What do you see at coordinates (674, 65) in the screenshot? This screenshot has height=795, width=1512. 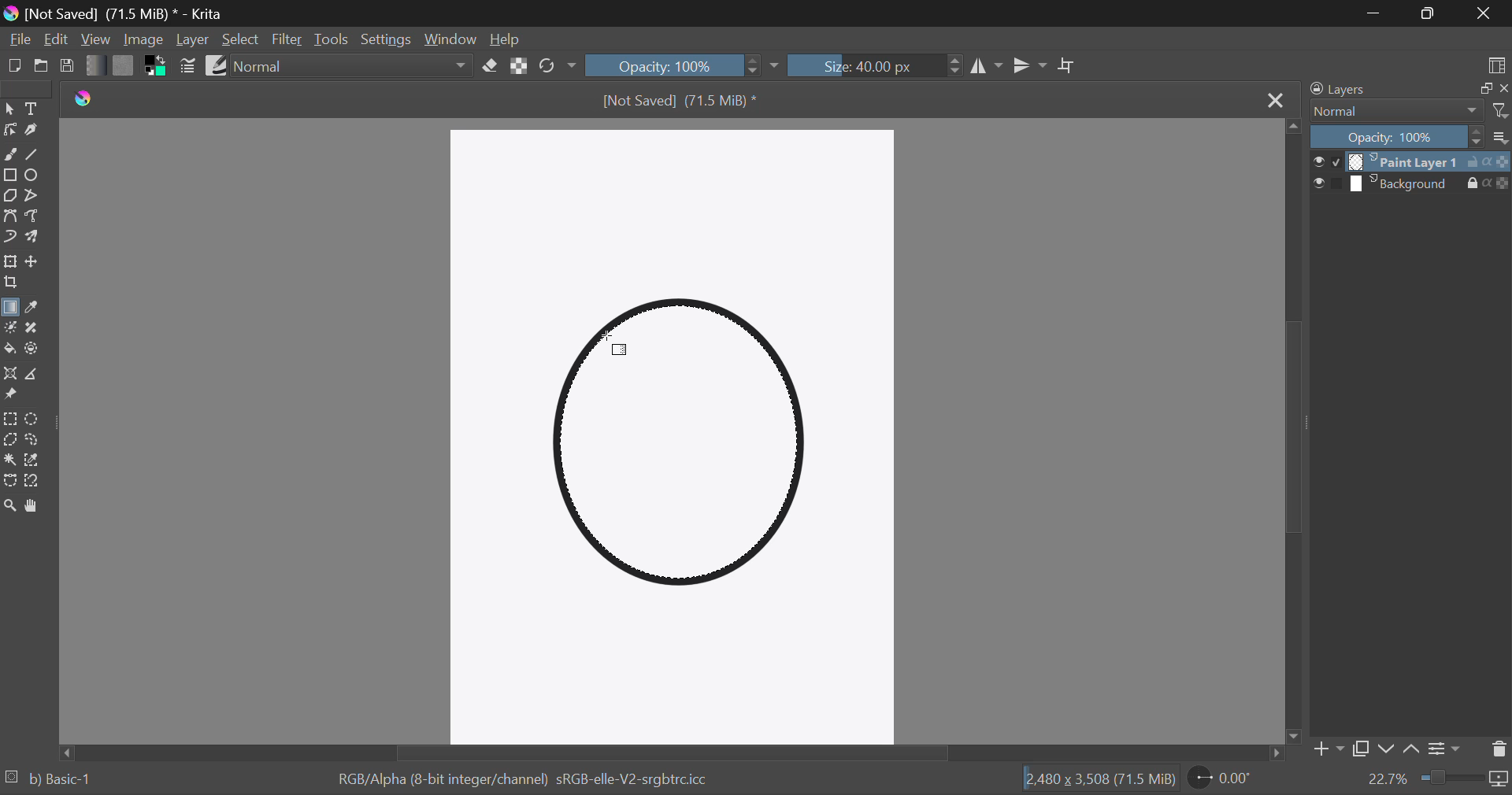 I see `Opacity` at bounding box center [674, 65].